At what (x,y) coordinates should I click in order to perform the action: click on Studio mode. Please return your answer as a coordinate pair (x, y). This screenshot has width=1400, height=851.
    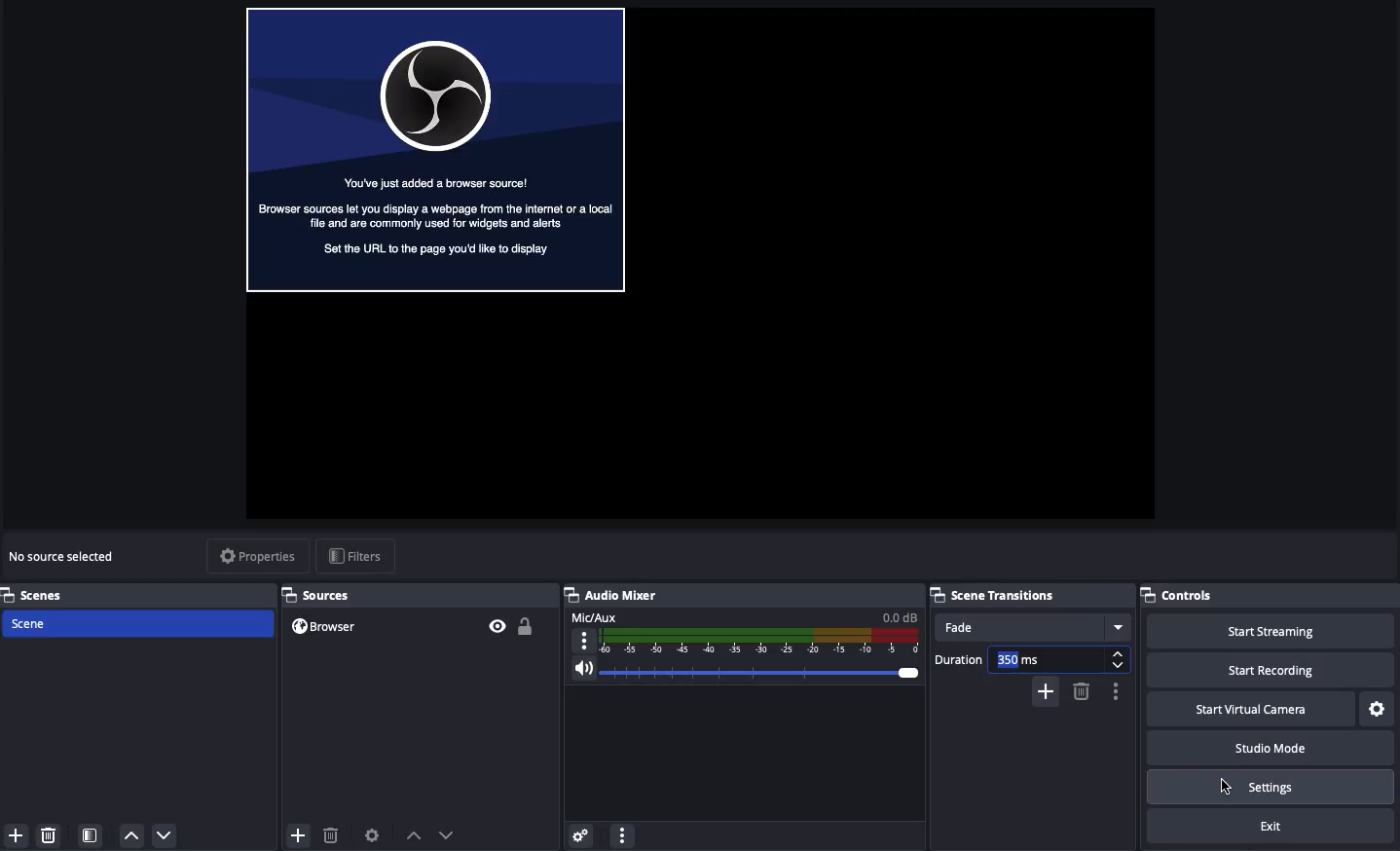
    Looking at the image, I should click on (1271, 751).